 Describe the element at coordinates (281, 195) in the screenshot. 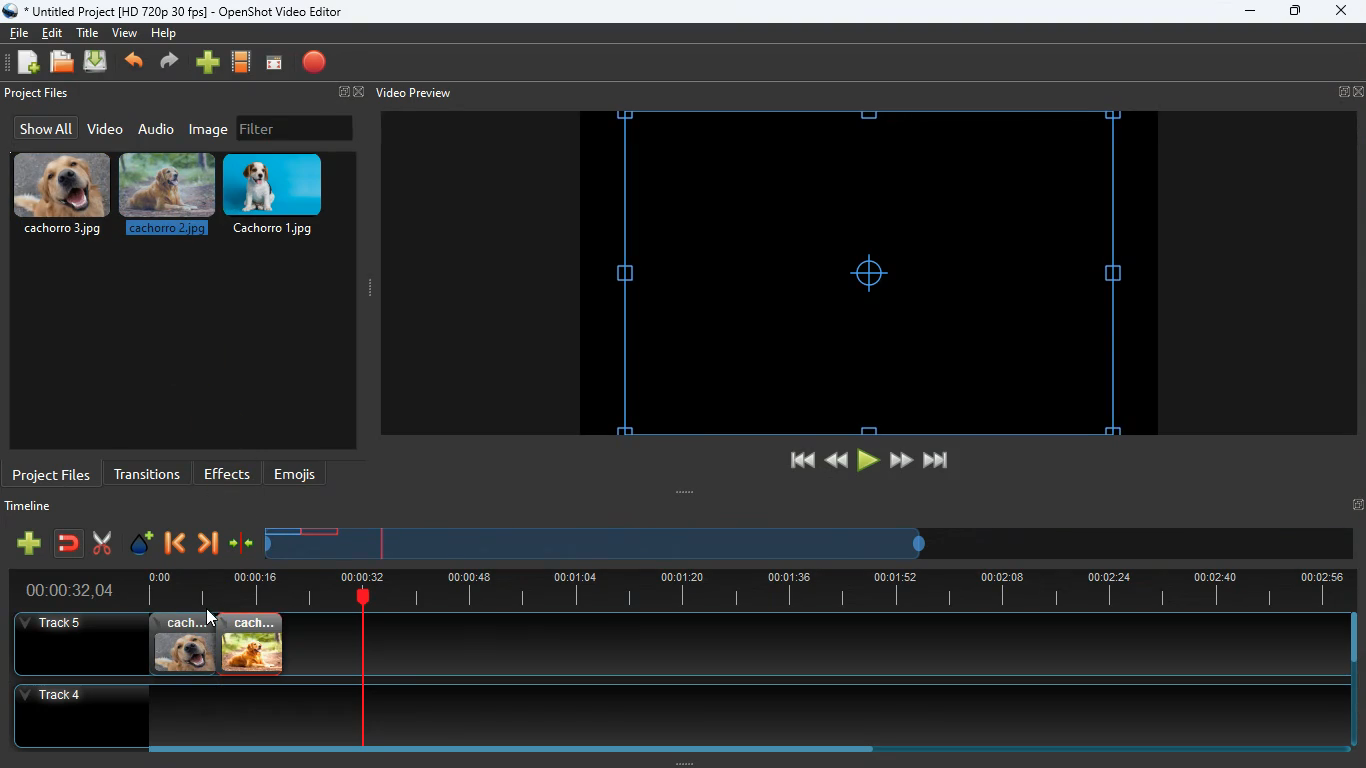

I see `cachorro.1.jpg` at that location.